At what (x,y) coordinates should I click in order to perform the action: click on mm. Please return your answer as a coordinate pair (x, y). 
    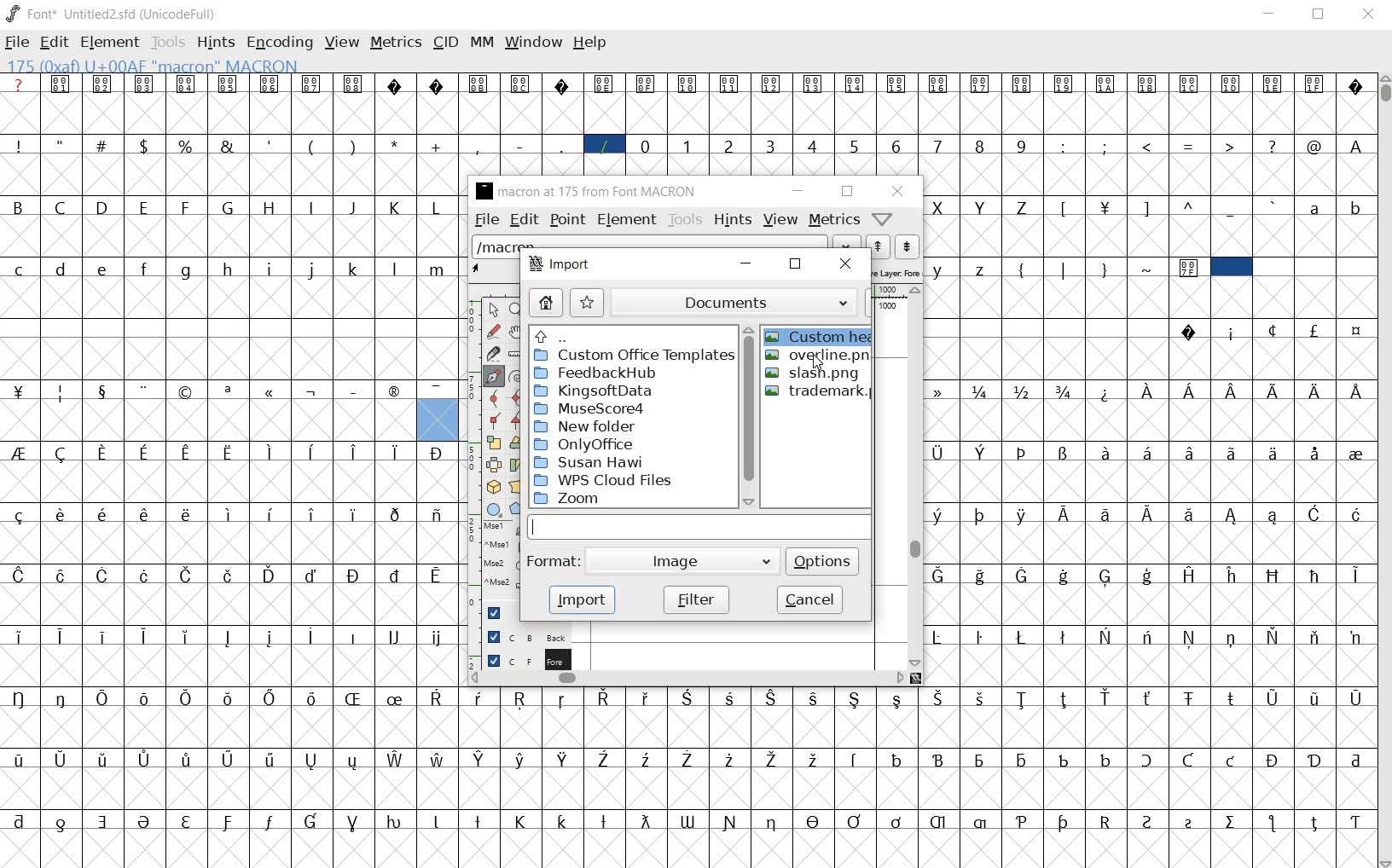
    Looking at the image, I should click on (482, 43).